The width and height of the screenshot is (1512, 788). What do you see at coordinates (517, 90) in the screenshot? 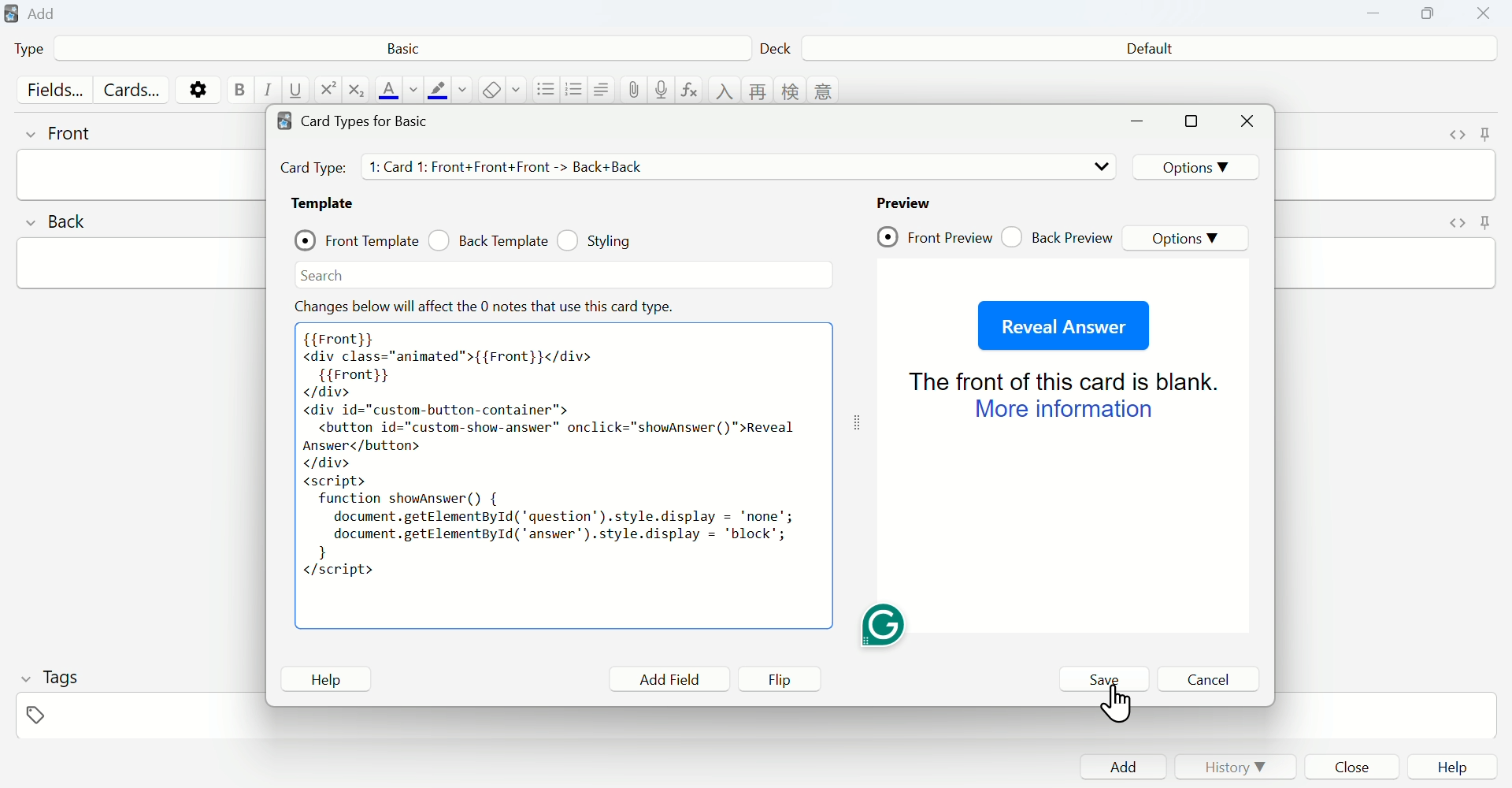
I see `select formatting to remove` at bounding box center [517, 90].